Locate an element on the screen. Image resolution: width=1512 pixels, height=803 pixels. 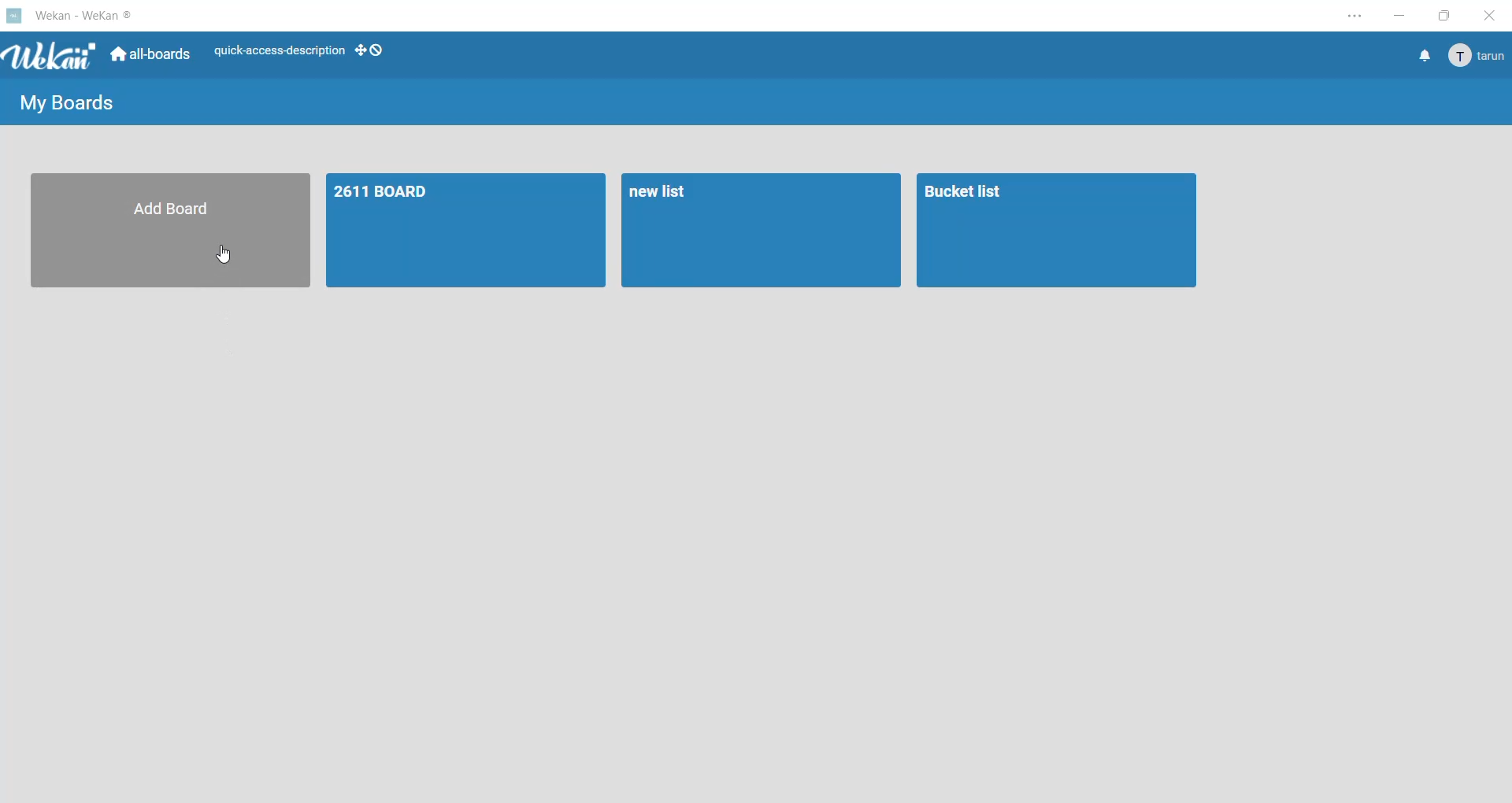
Account is located at coordinates (1479, 56).